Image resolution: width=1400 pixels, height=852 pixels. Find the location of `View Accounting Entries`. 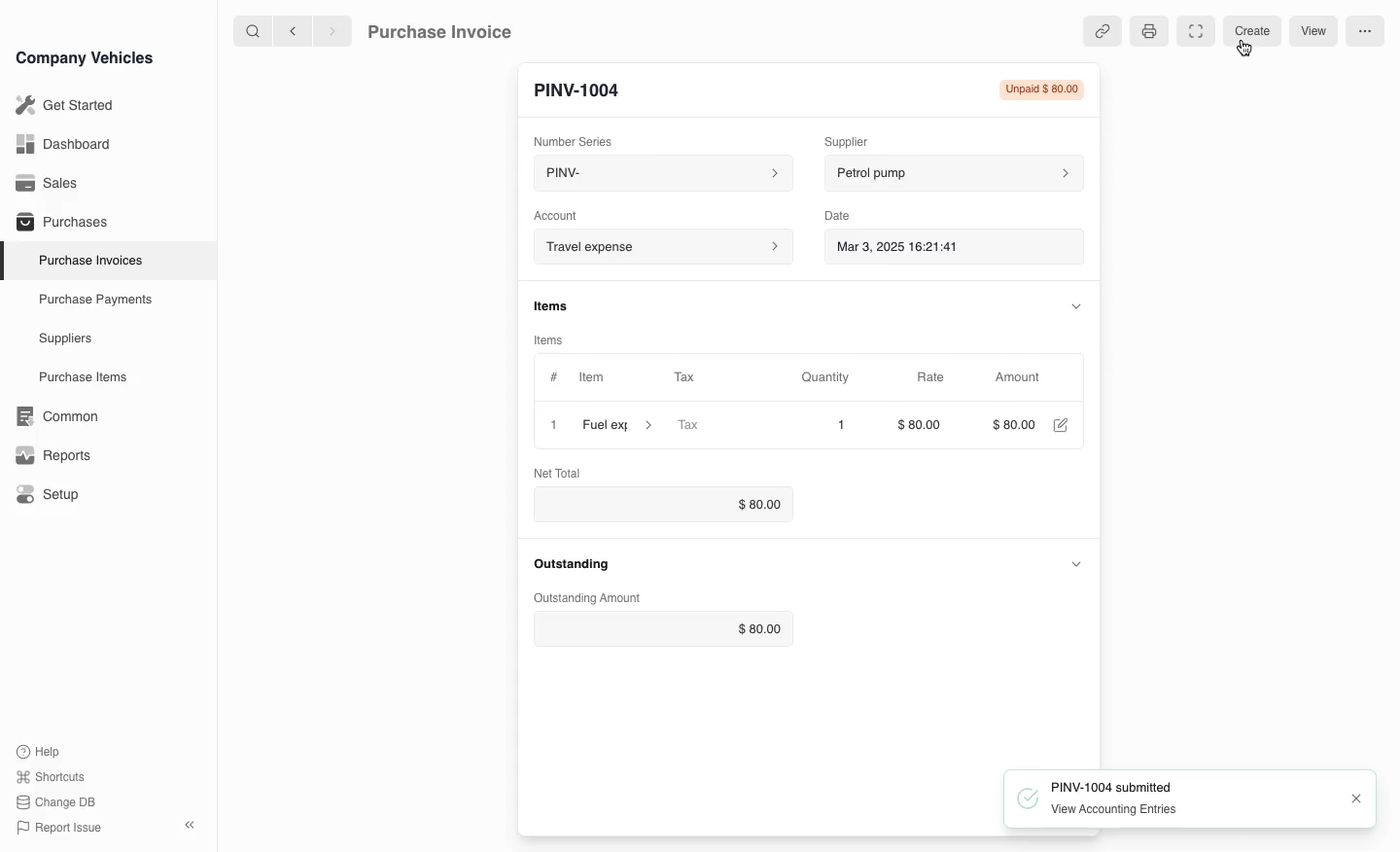

View Accounting Entries is located at coordinates (1113, 812).